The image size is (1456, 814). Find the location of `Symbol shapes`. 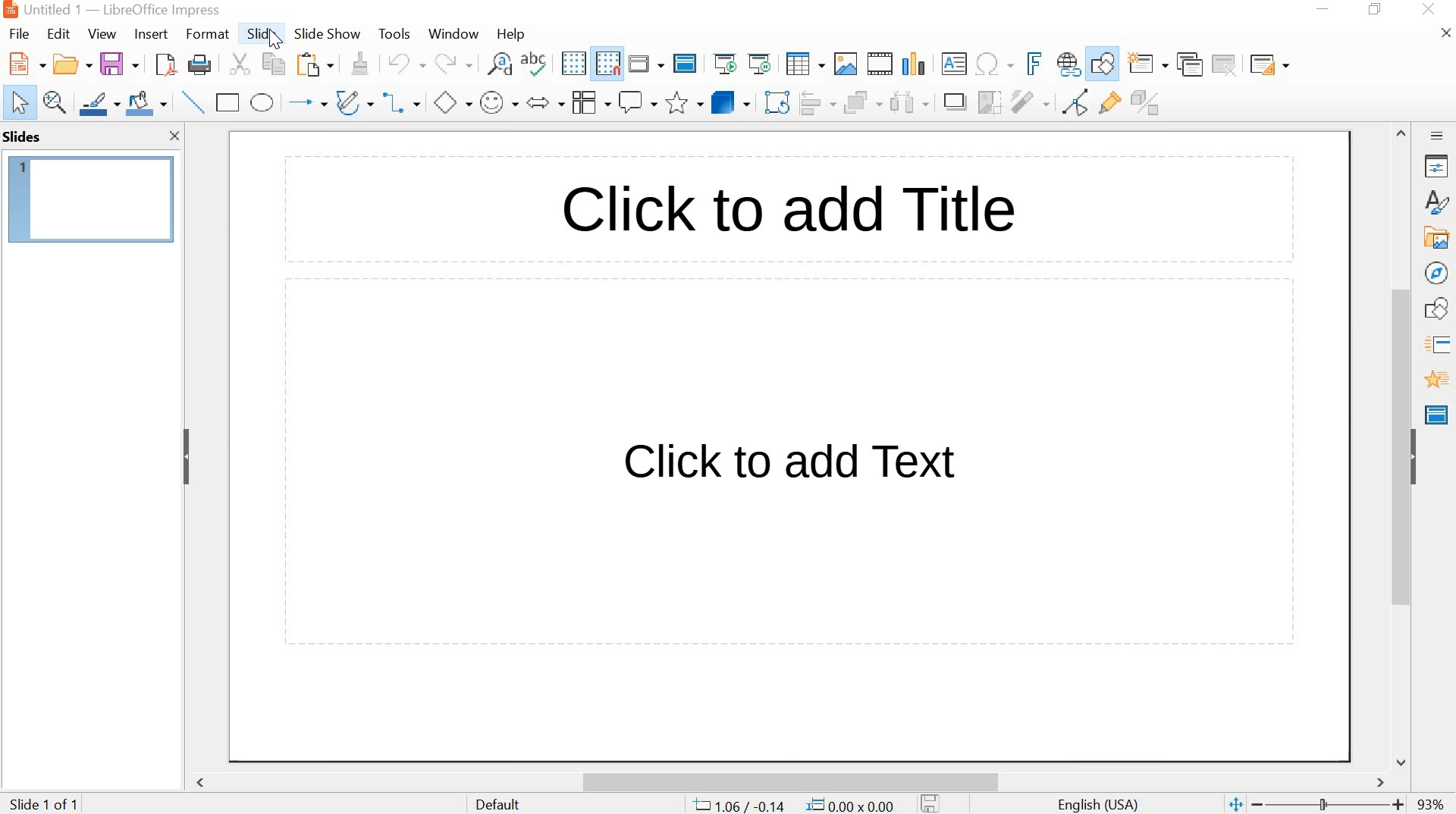

Symbol shapes is located at coordinates (497, 101).